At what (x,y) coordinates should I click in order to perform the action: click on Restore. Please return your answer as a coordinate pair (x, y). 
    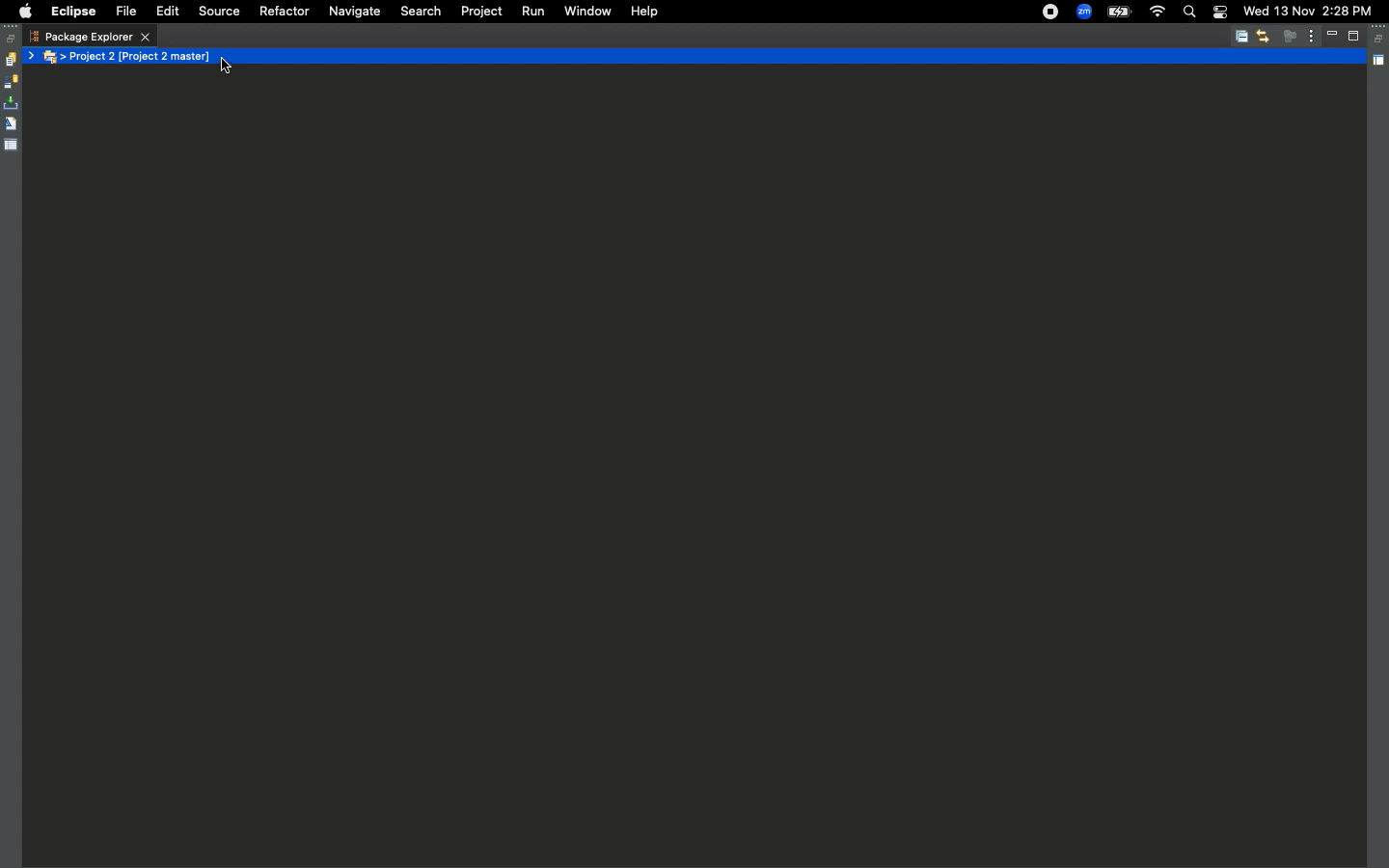
    Looking at the image, I should click on (1380, 40).